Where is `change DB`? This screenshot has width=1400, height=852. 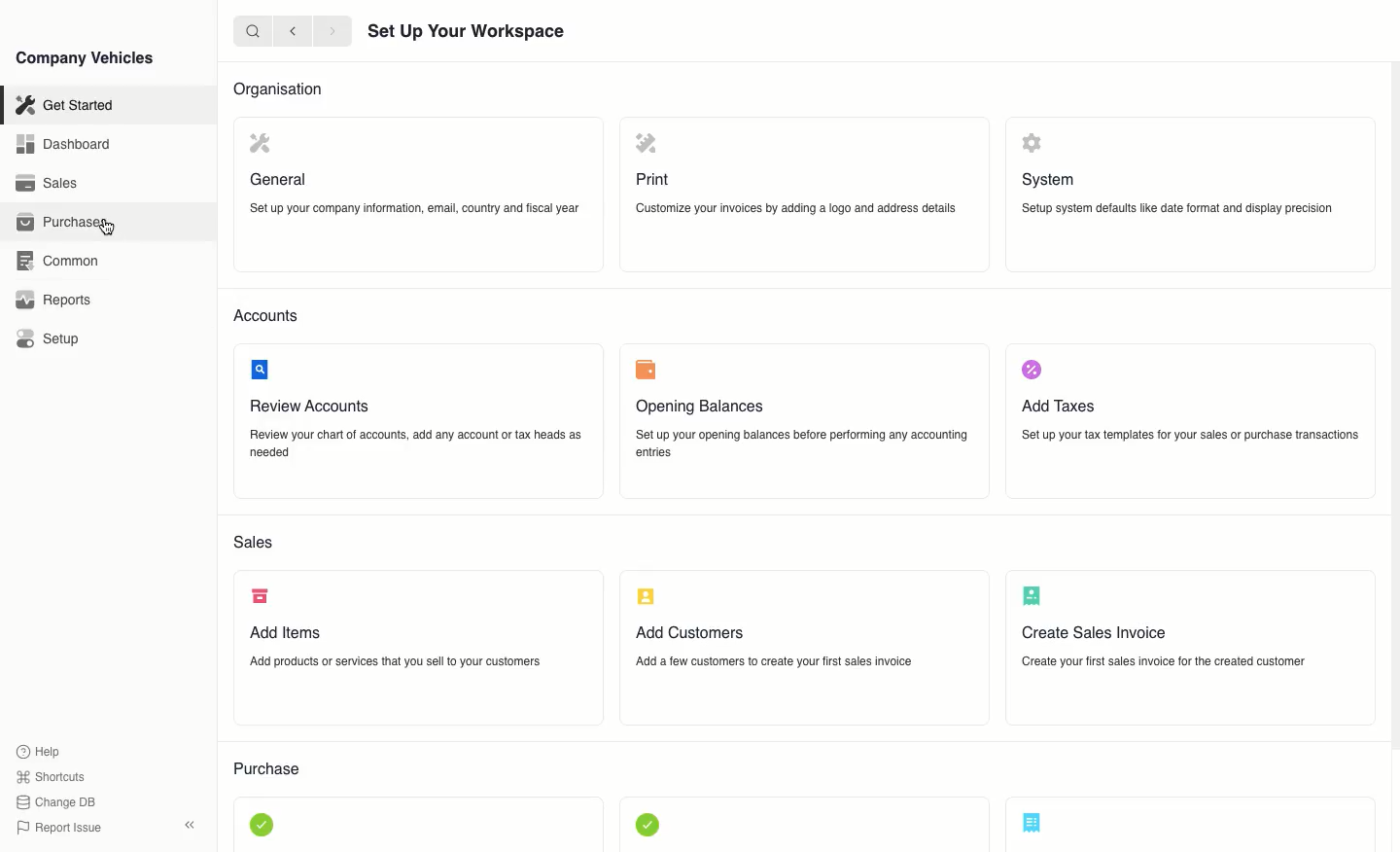 change DB is located at coordinates (58, 802).